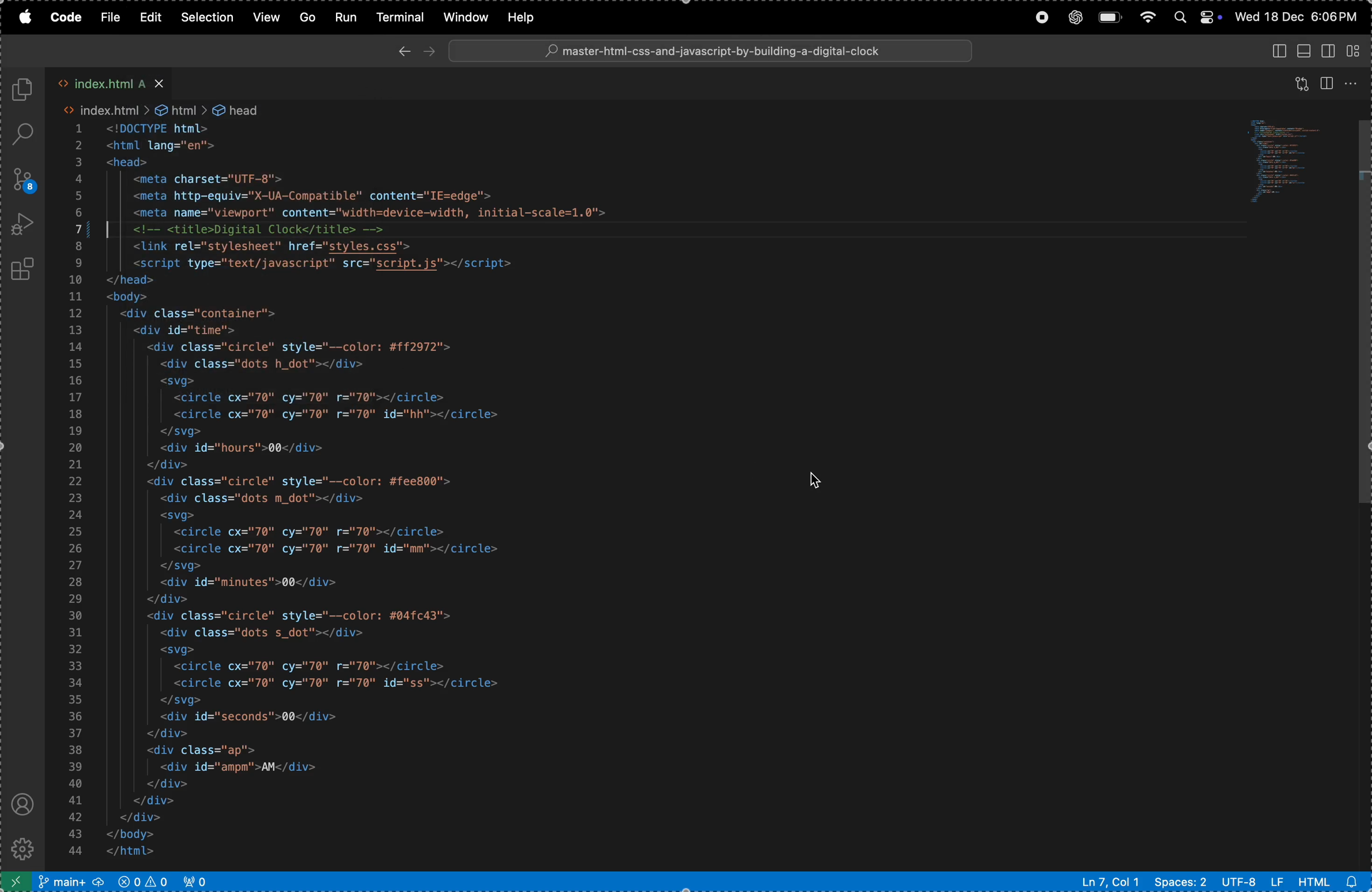 The image size is (1372, 892). What do you see at coordinates (1331, 50) in the screenshot?
I see `left grid view` at bounding box center [1331, 50].